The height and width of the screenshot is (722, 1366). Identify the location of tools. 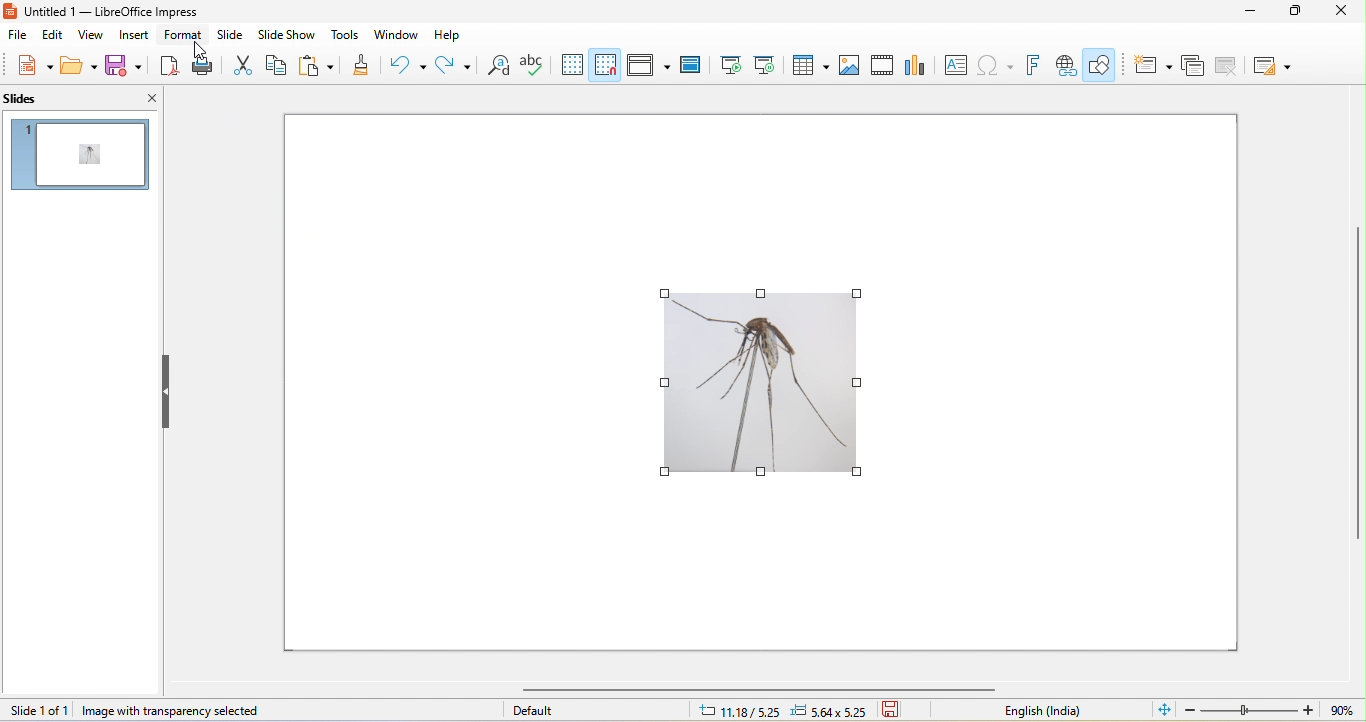
(344, 36).